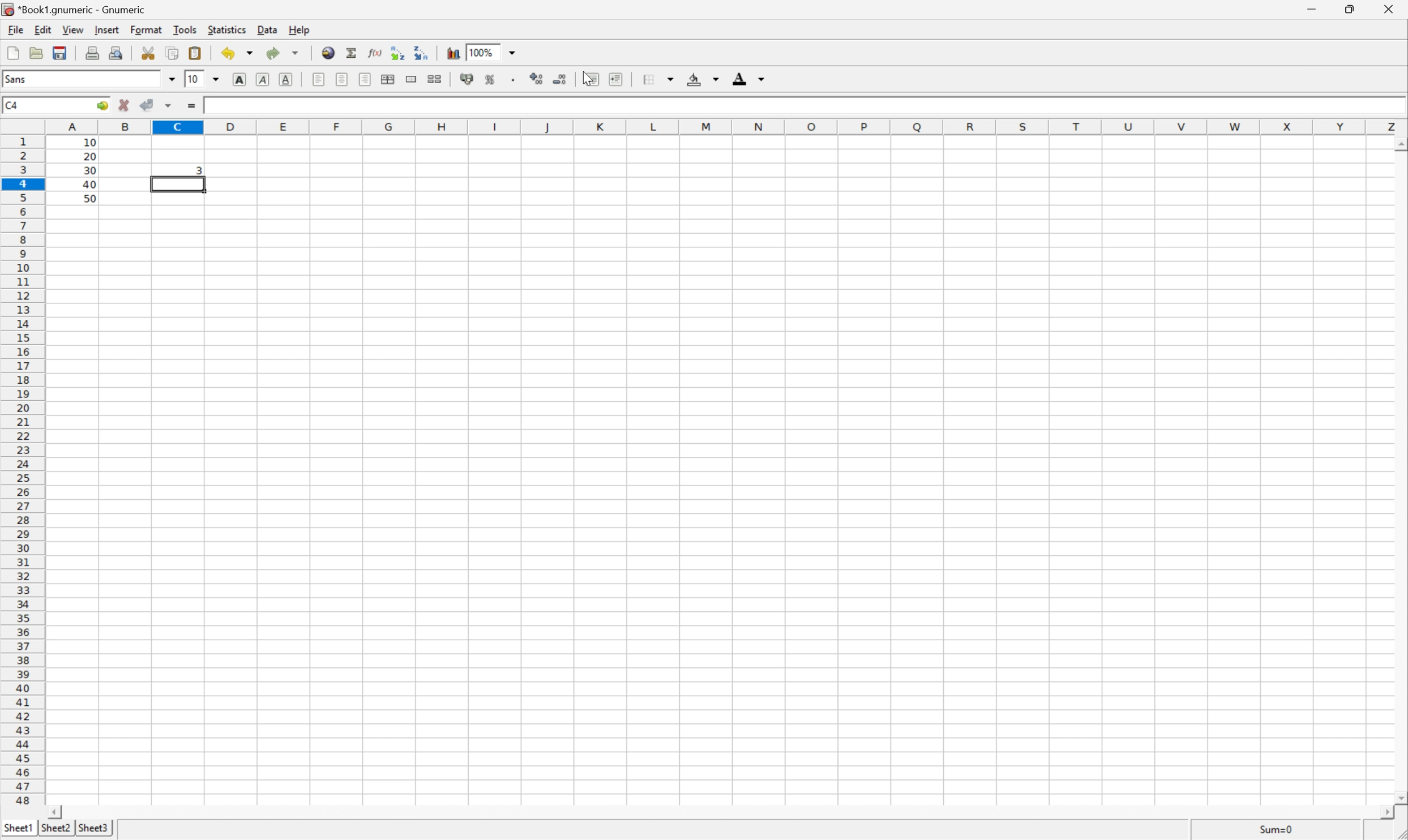 This screenshot has height=840, width=1408. I want to click on Row numbers, so click(21, 470).